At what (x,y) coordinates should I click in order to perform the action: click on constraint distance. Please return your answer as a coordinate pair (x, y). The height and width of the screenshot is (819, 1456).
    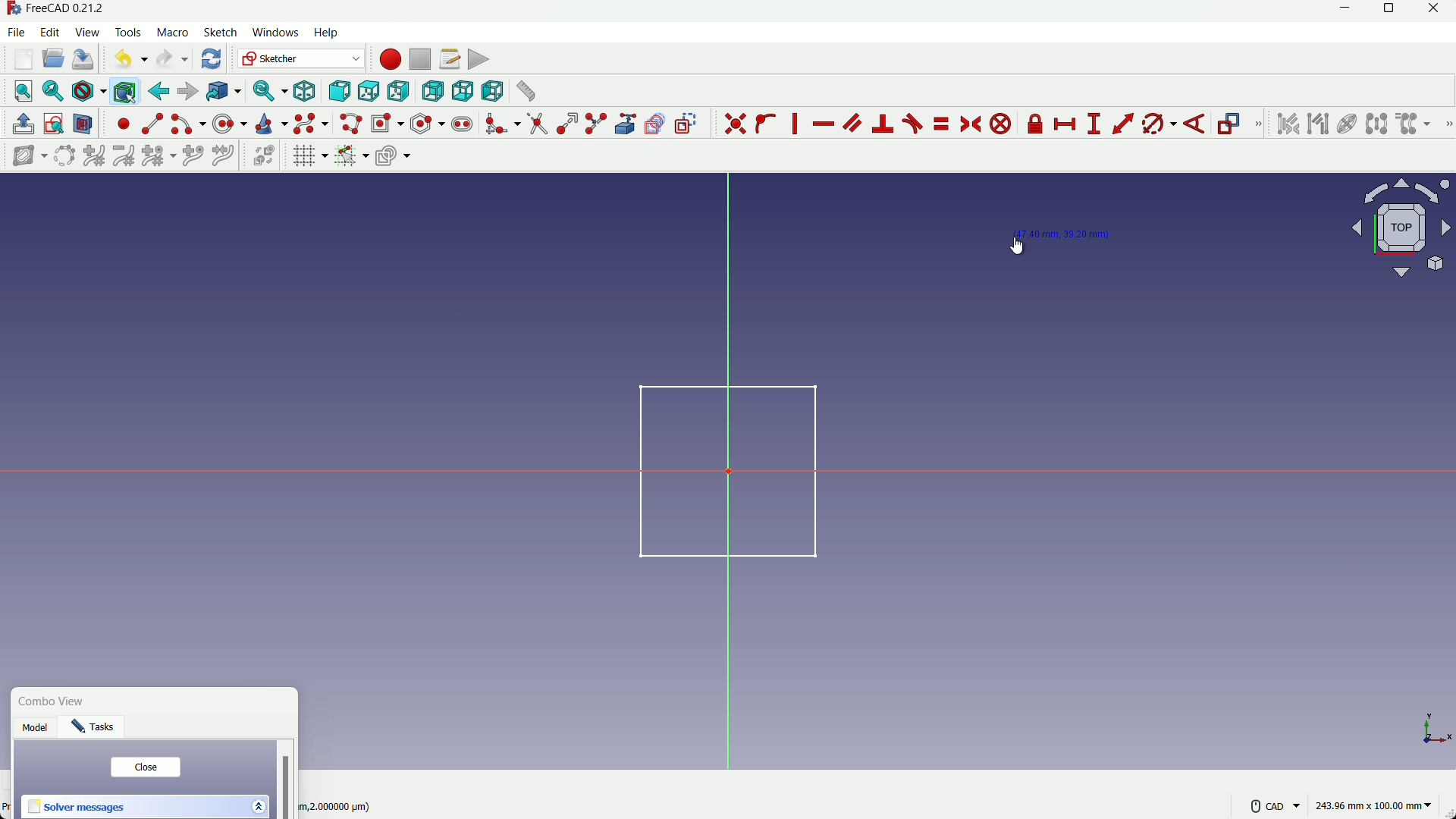
    Looking at the image, I should click on (1123, 124).